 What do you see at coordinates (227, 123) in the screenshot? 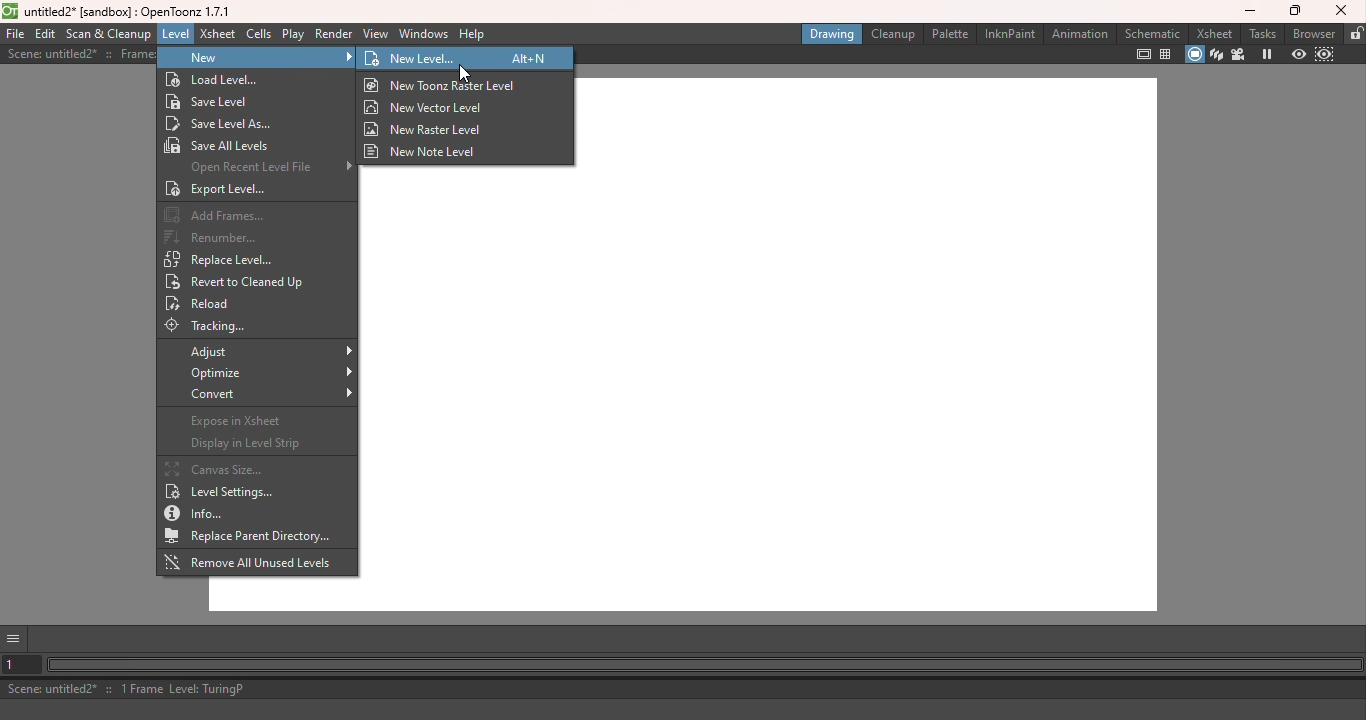
I see `Save level as` at bounding box center [227, 123].